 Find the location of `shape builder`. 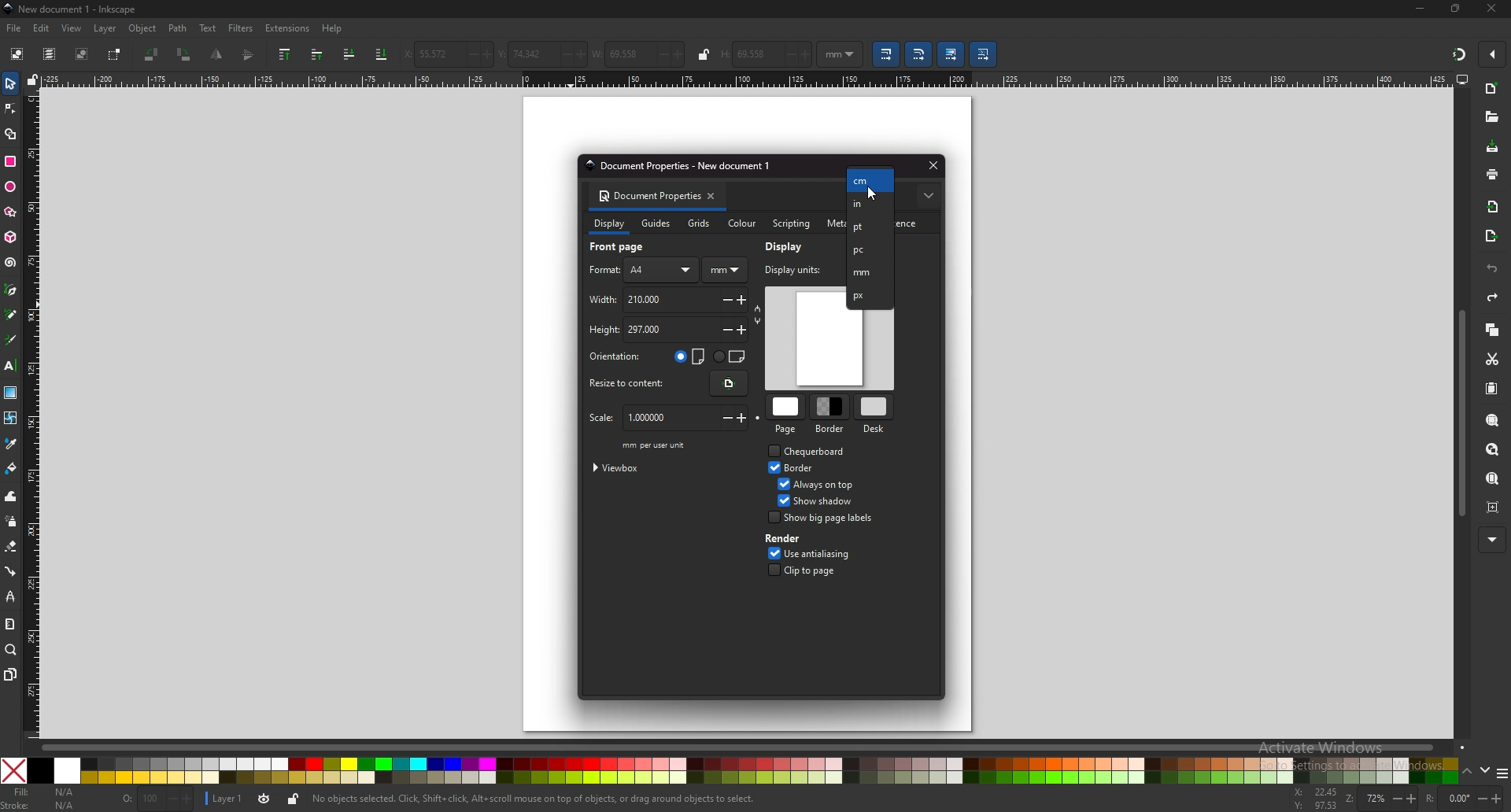

shape builder is located at coordinates (11, 134).